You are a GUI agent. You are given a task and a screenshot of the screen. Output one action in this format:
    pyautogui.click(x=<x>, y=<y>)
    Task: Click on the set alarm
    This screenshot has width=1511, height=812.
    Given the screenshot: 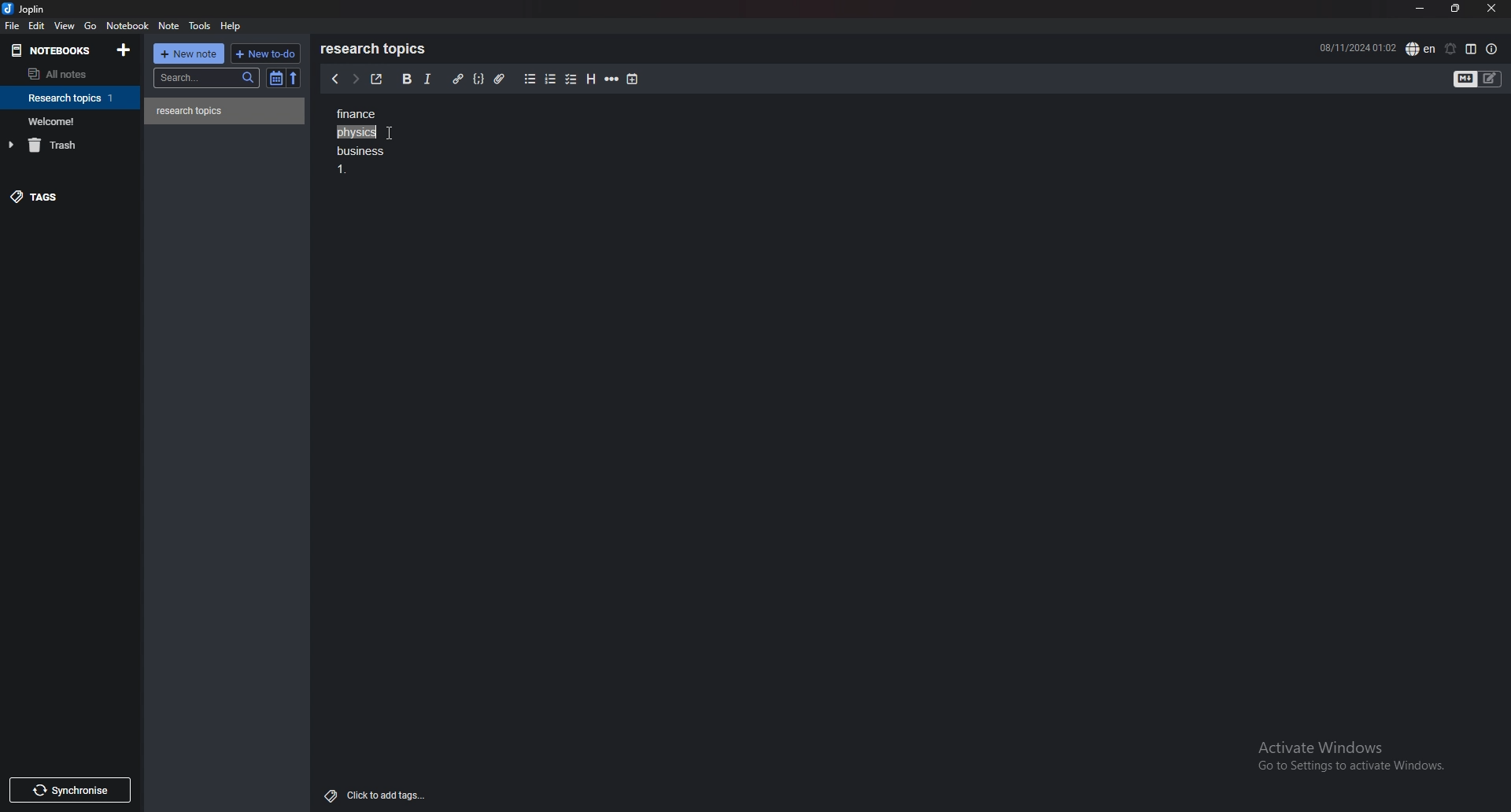 What is the action you would take?
    pyautogui.click(x=1449, y=49)
    